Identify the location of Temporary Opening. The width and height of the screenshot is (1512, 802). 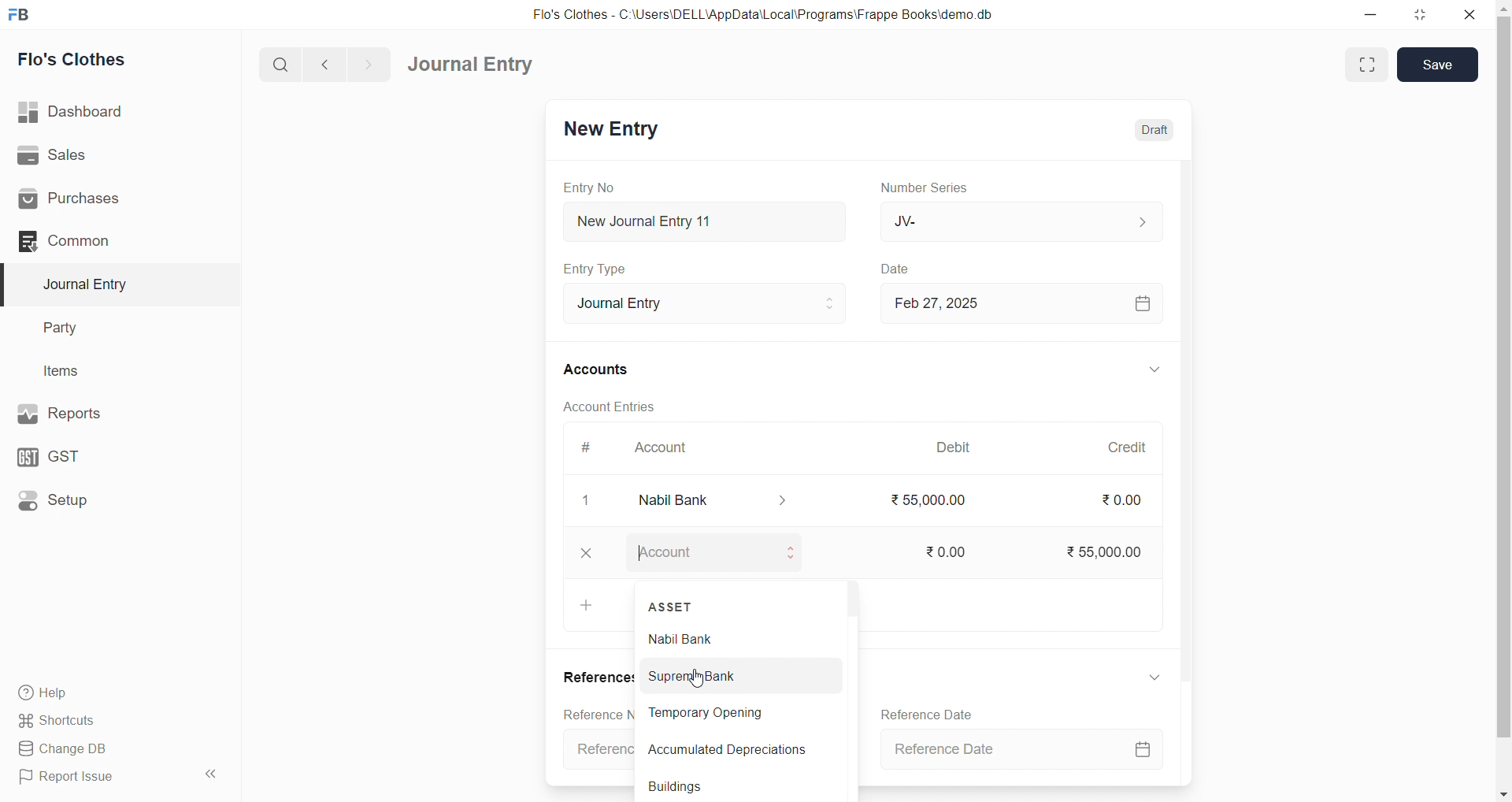
(732, 714).